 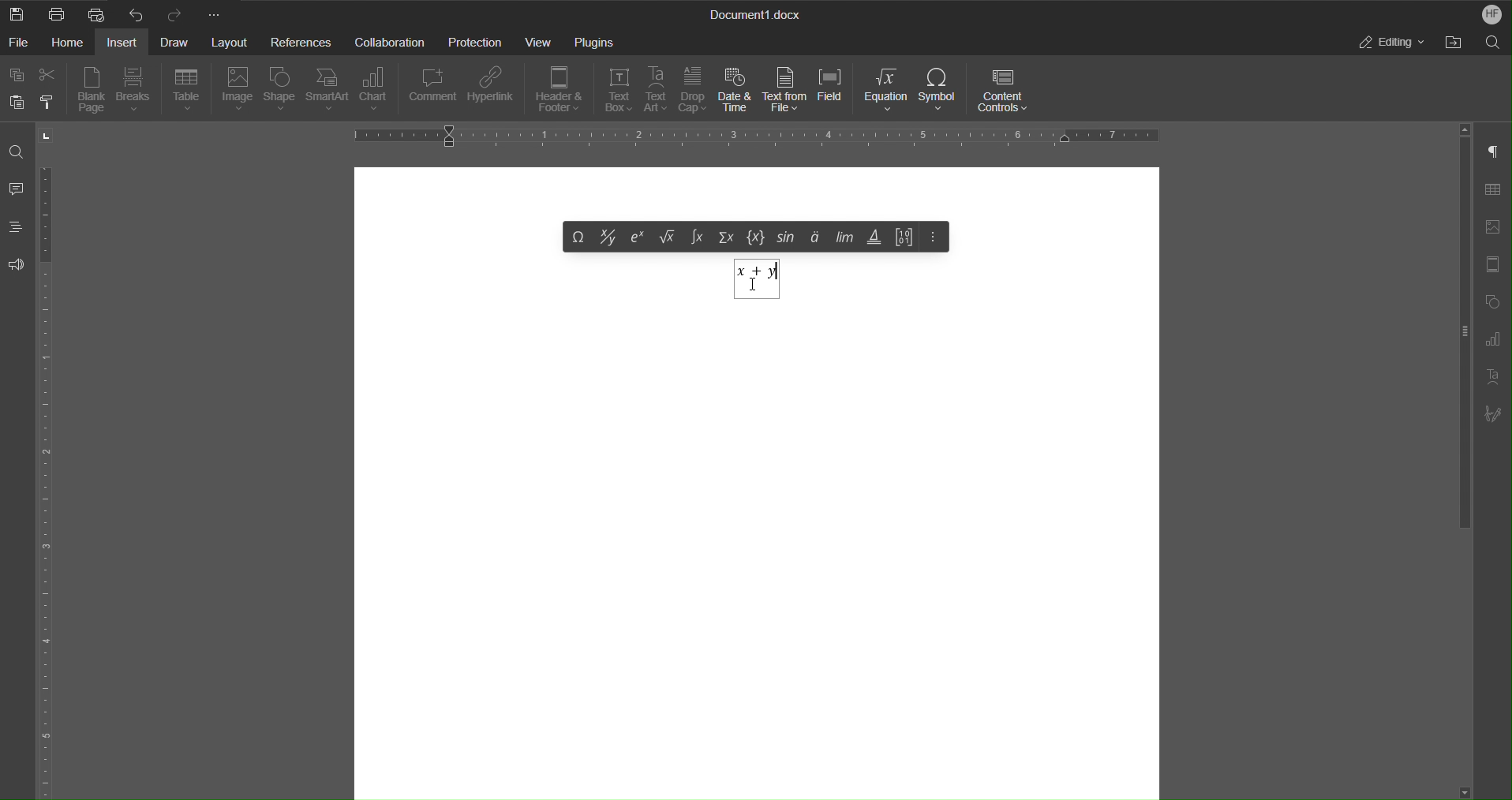 What do you see at coordinates (17, 152) in the screenshot?
I see `Find` at bounding box center [17, 152].